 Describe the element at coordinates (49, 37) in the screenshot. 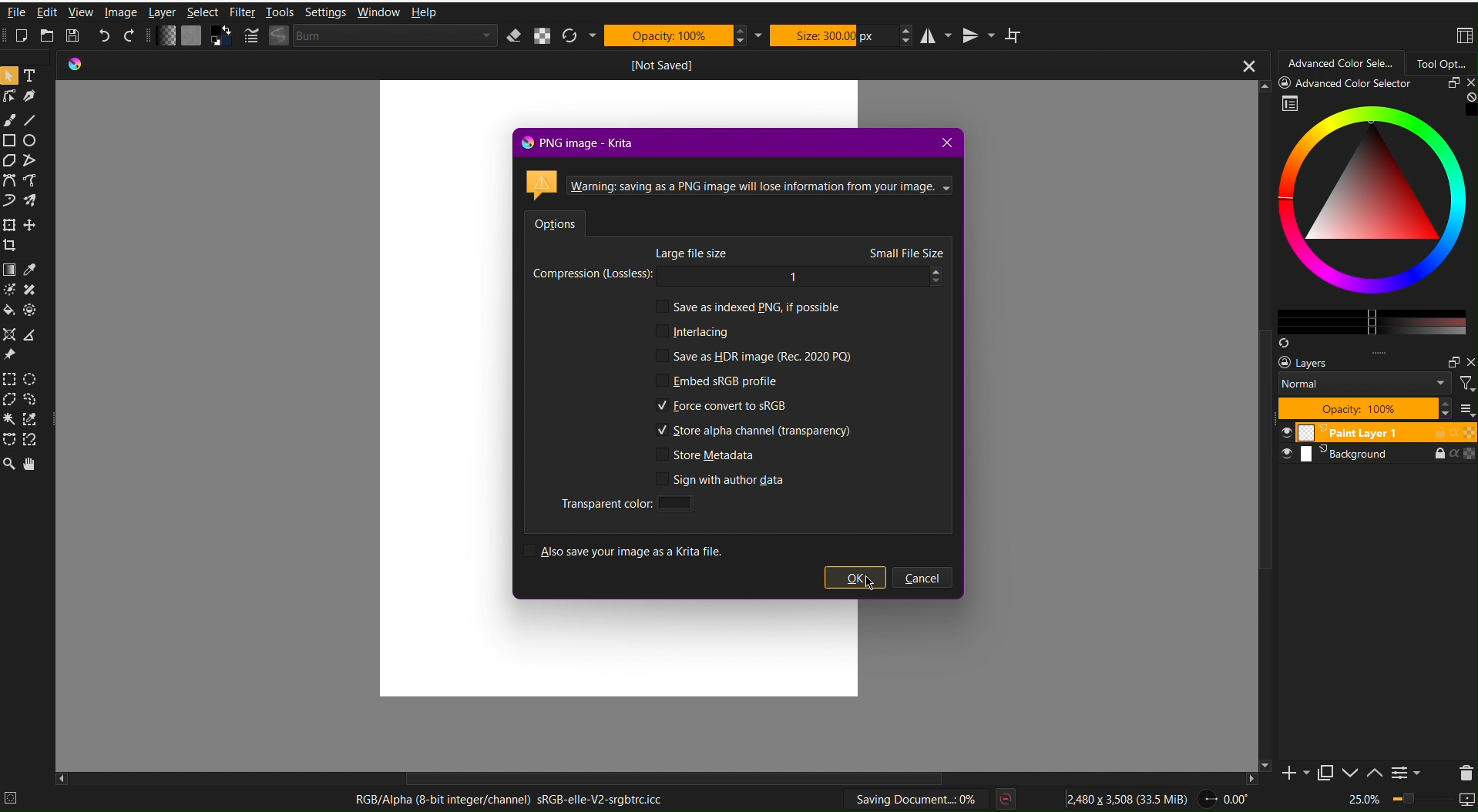

I see `Open` at that location.